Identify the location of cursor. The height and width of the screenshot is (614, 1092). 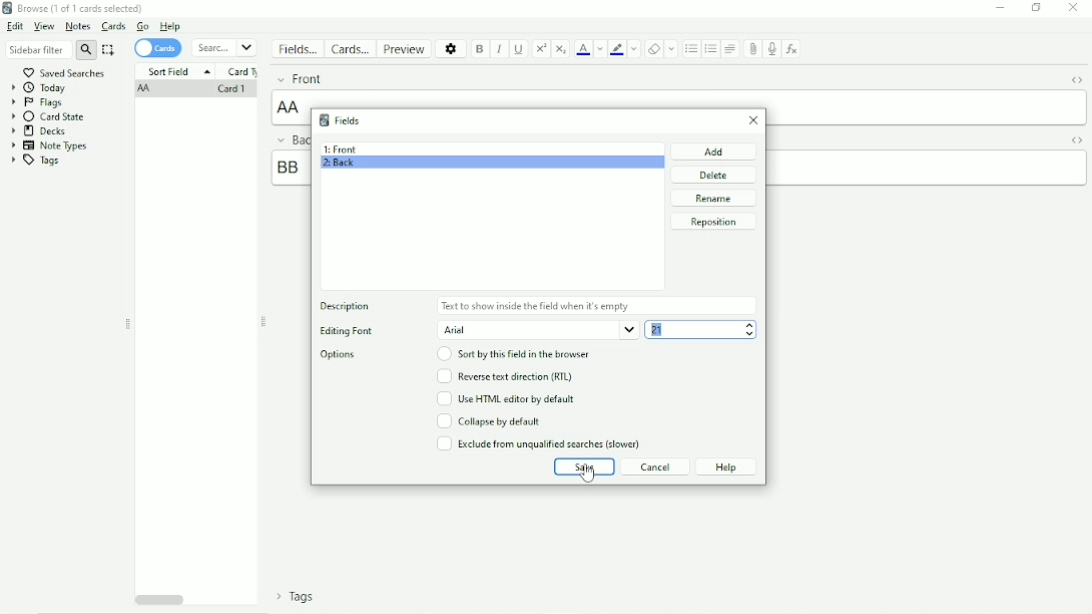
(589, 475).